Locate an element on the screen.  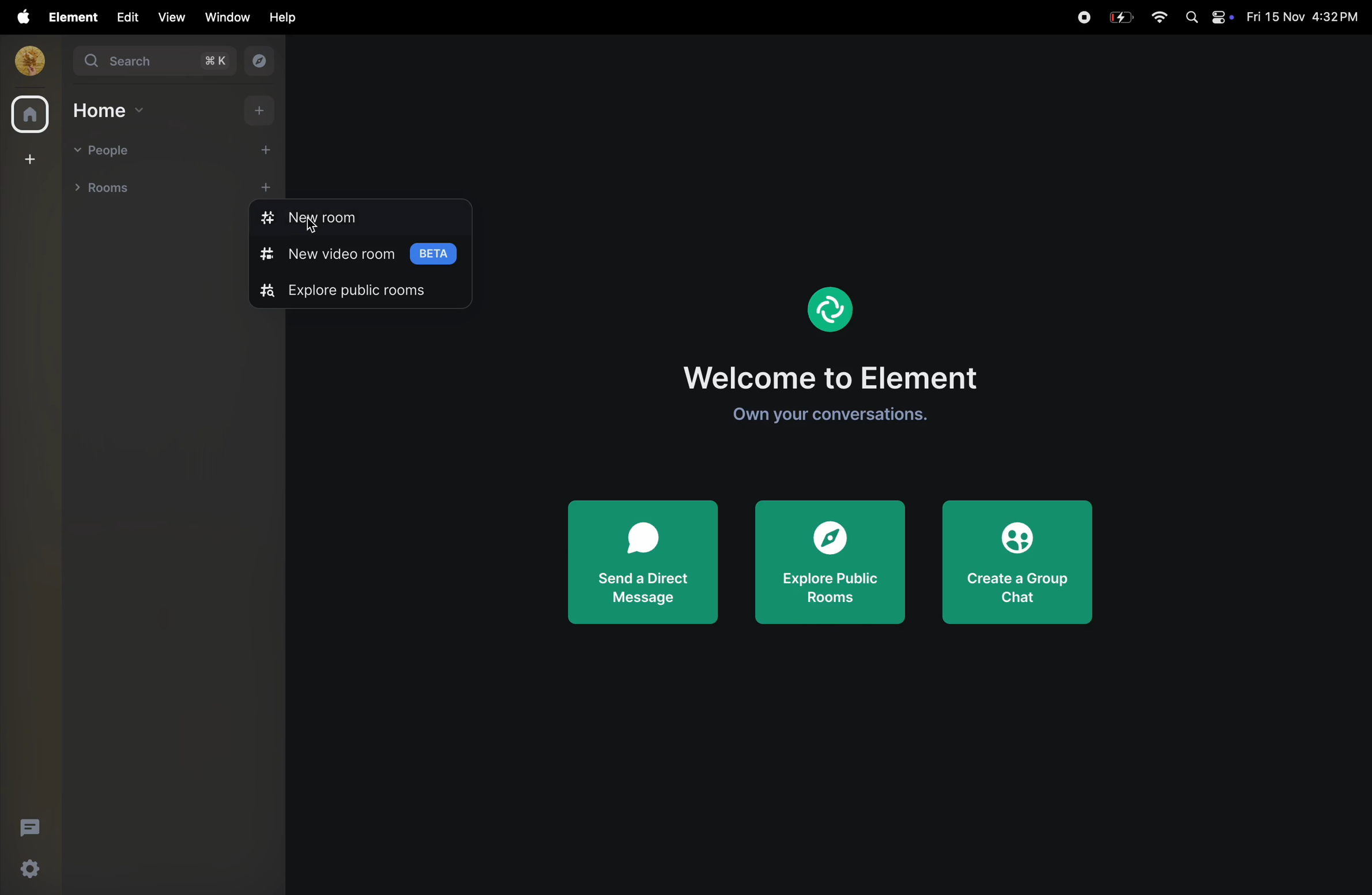
help is located at coordinates (279, 18).